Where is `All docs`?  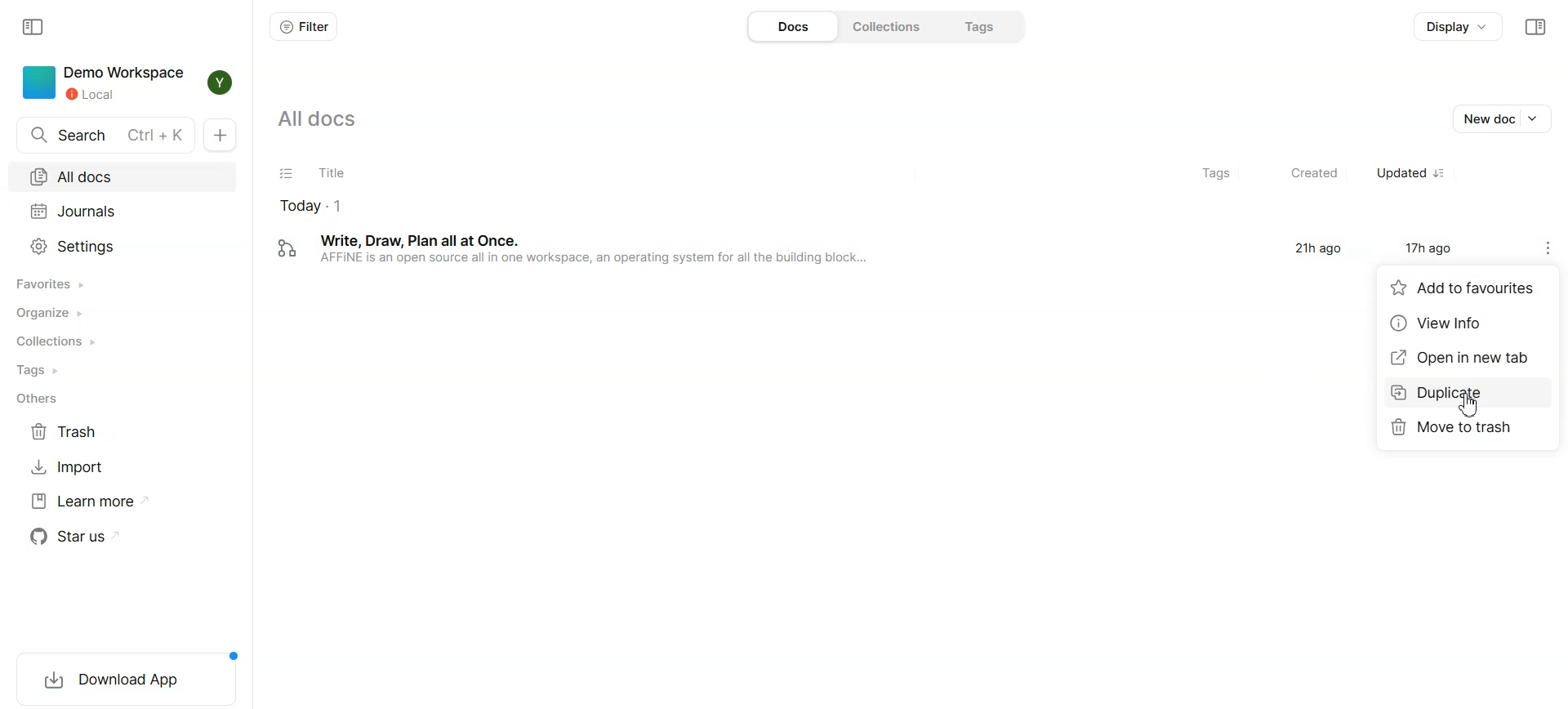
All docs is located at coordinates (342, 118).